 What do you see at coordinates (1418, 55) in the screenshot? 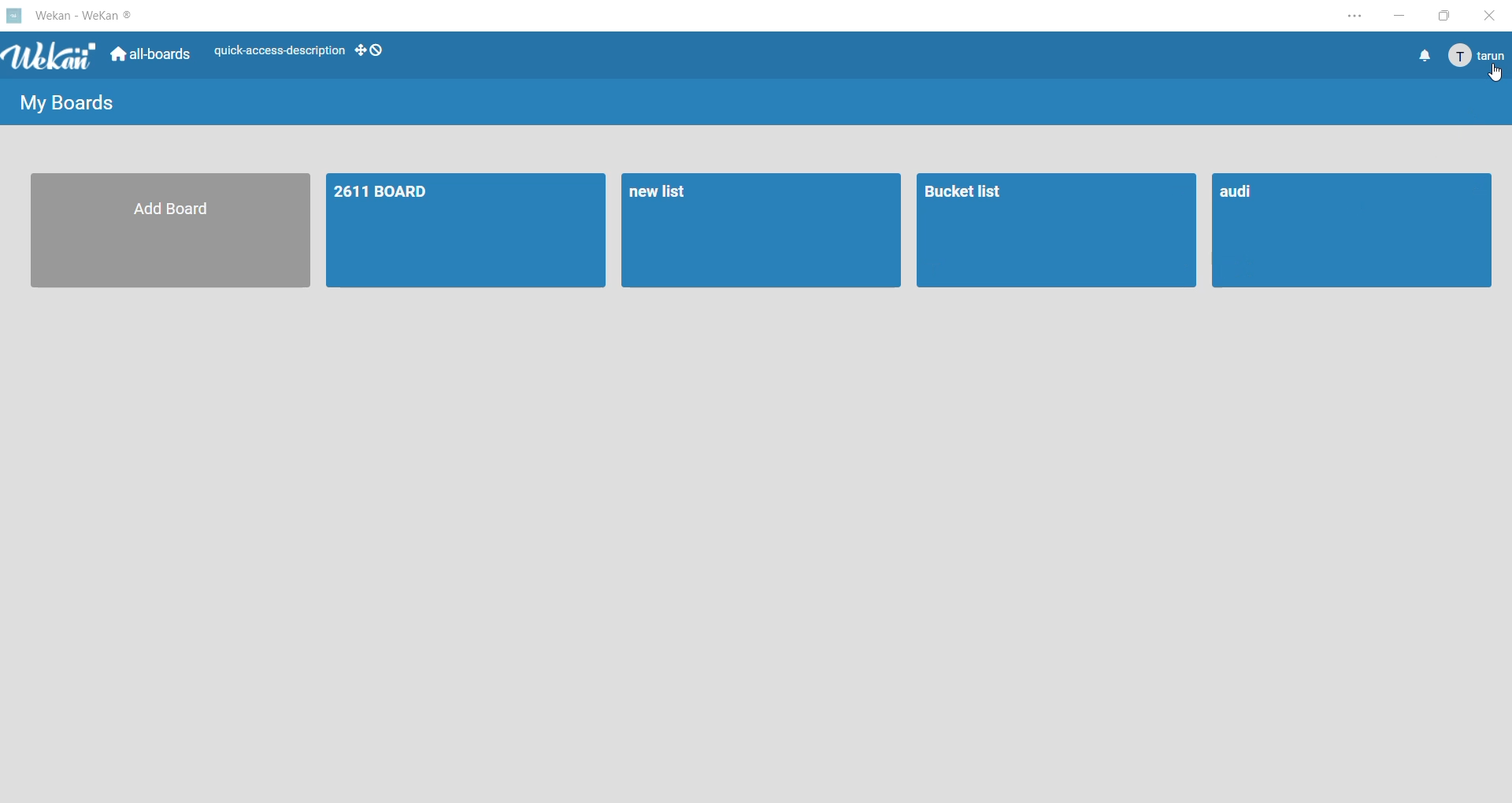
I see `notifications` at bounding box center [1418, 55].